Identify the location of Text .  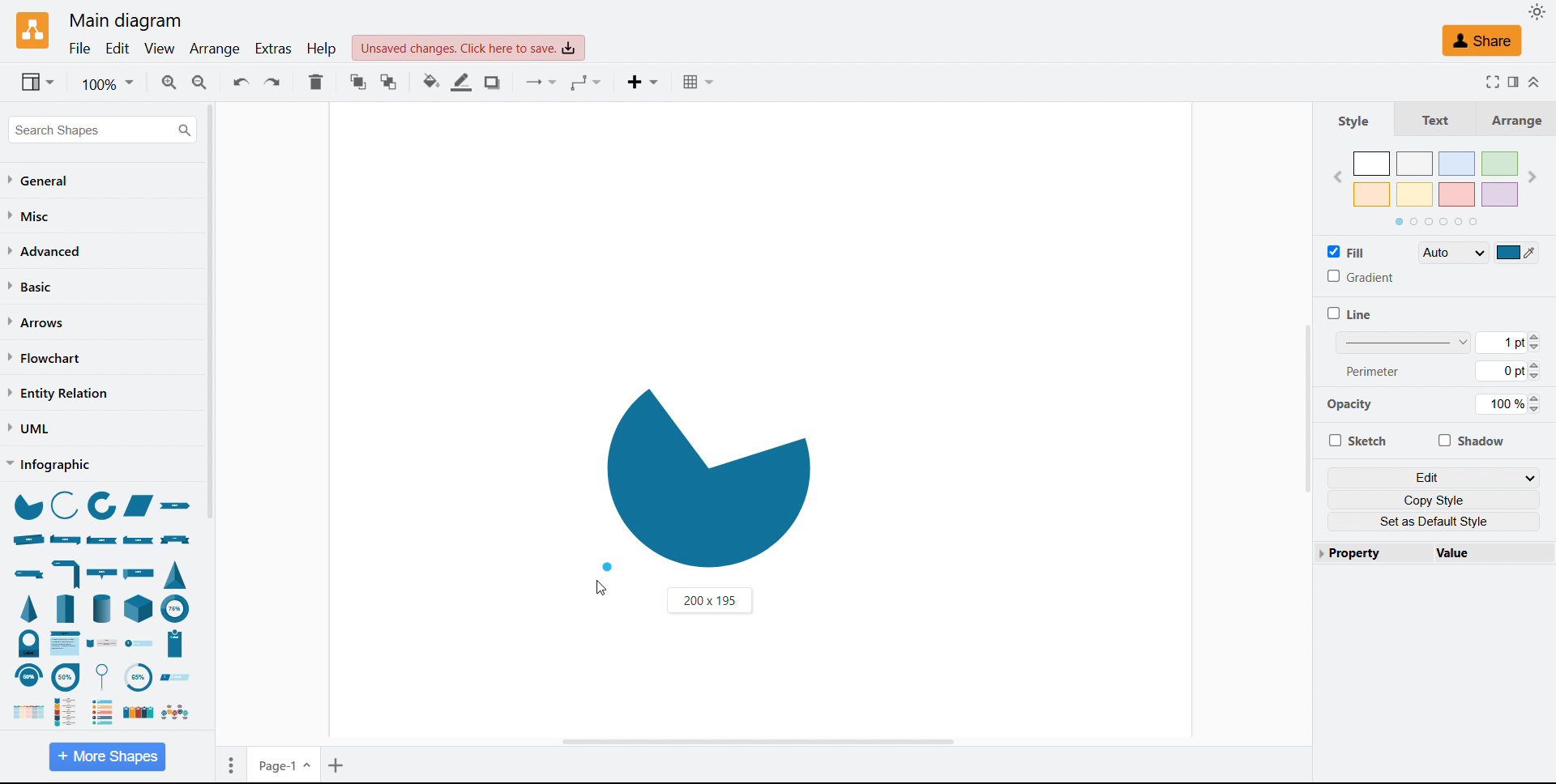
(1429, 118).